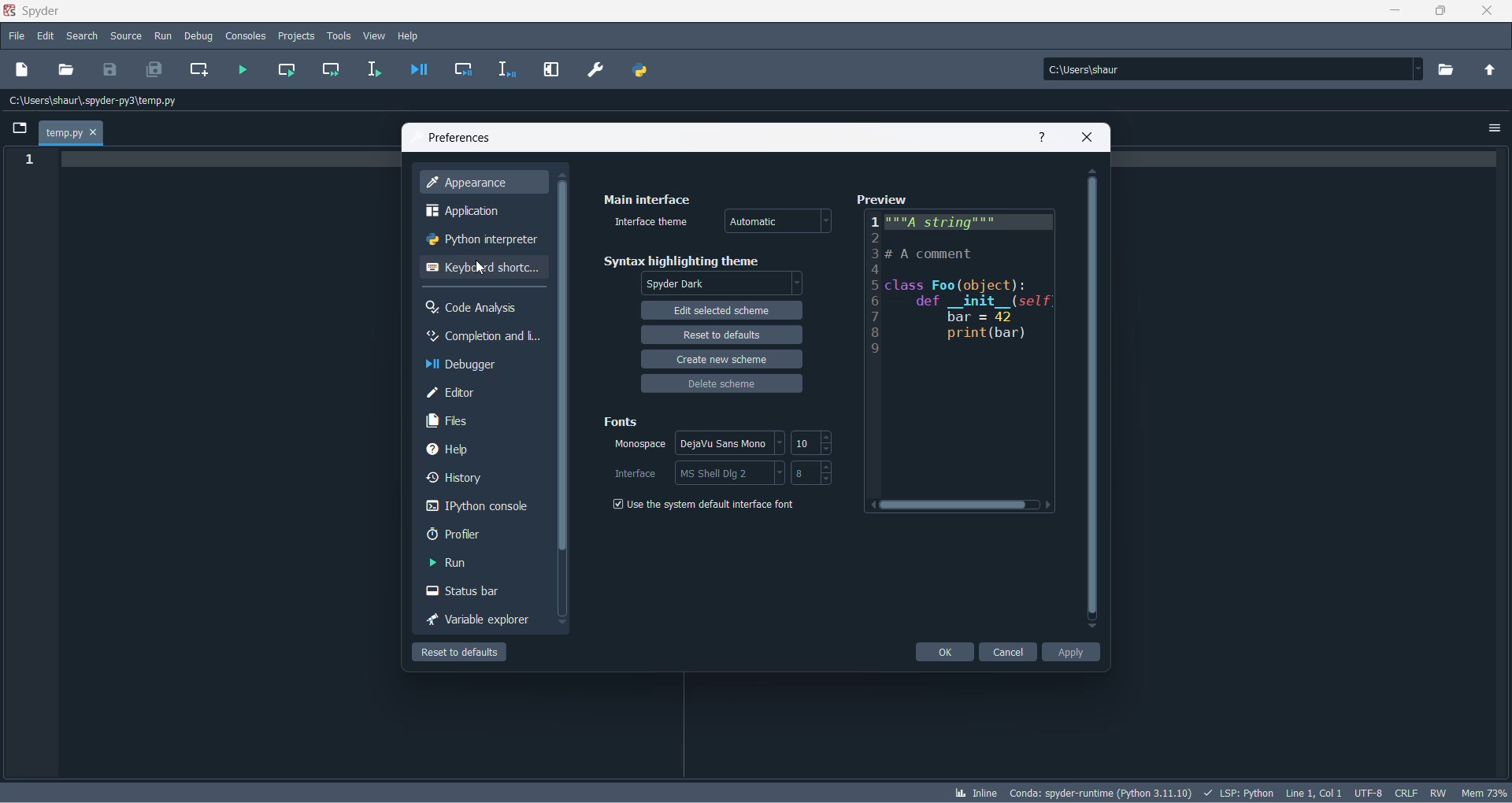  I want to click on path, so click(96, 103).